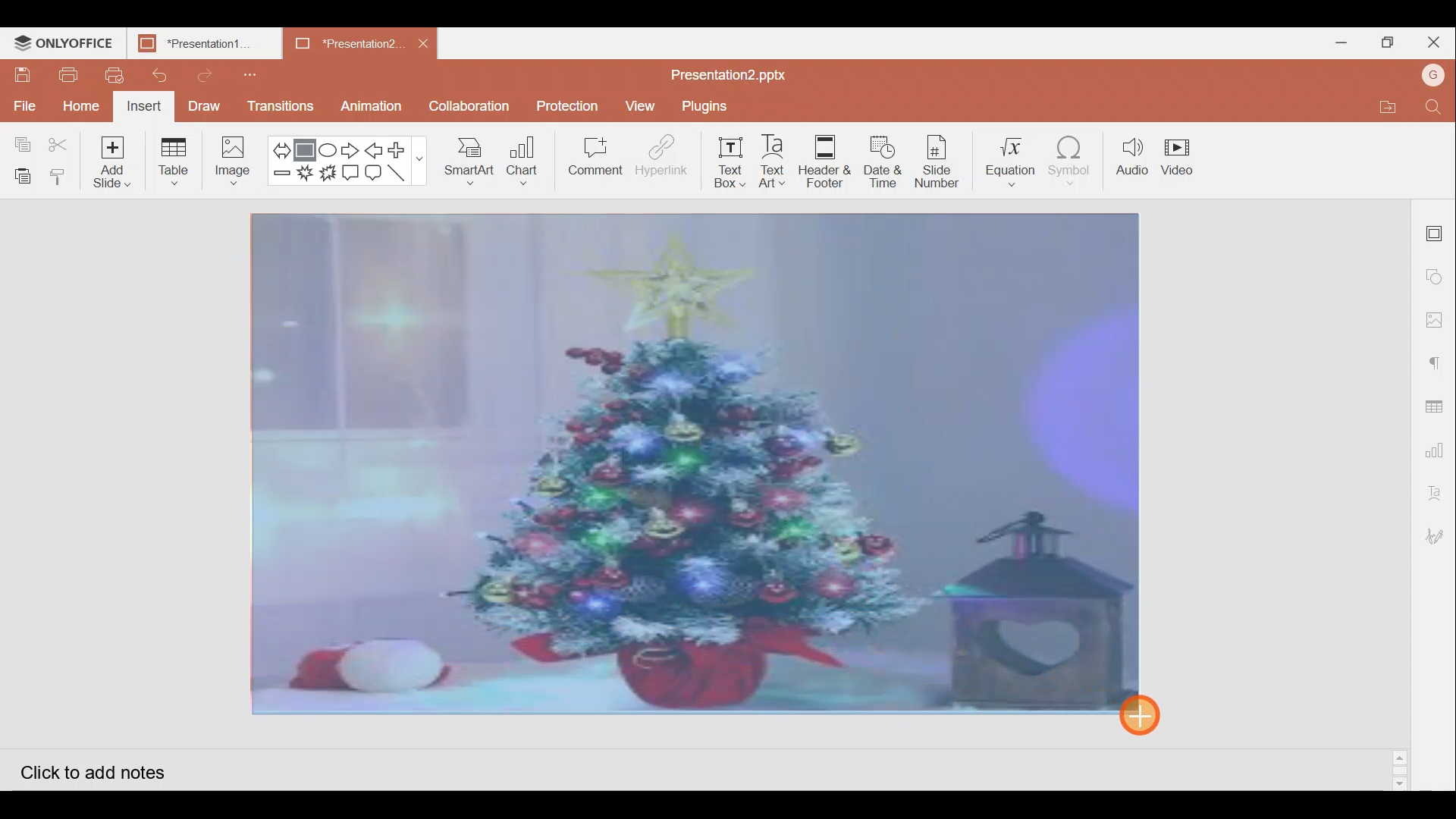 The height and width of the screenshot is (819, 1456). I want to click on Text box, so click(722, 165).